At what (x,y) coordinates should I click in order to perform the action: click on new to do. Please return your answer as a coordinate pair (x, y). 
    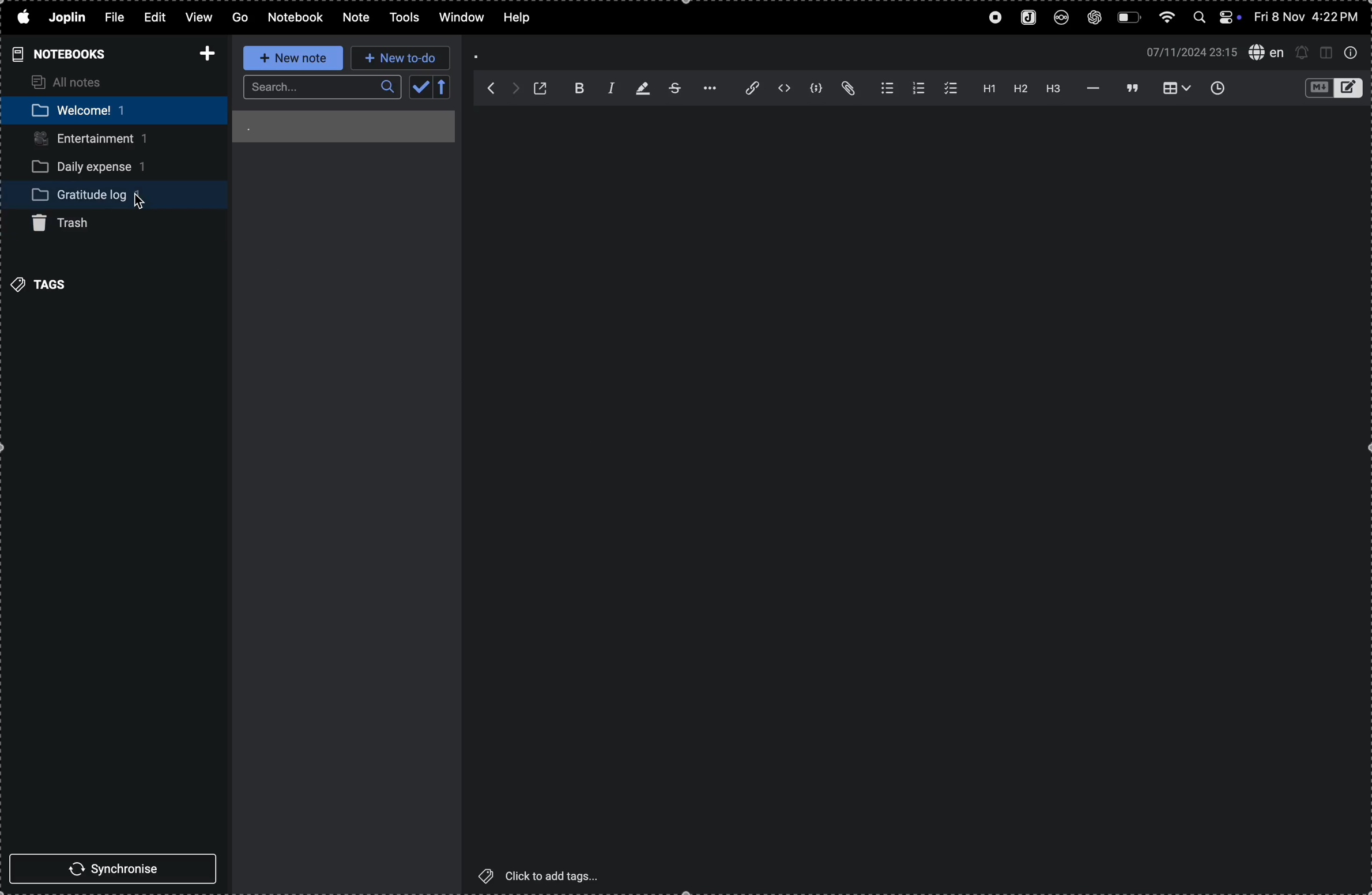
    Looking at the image, I should click on (402, 57).